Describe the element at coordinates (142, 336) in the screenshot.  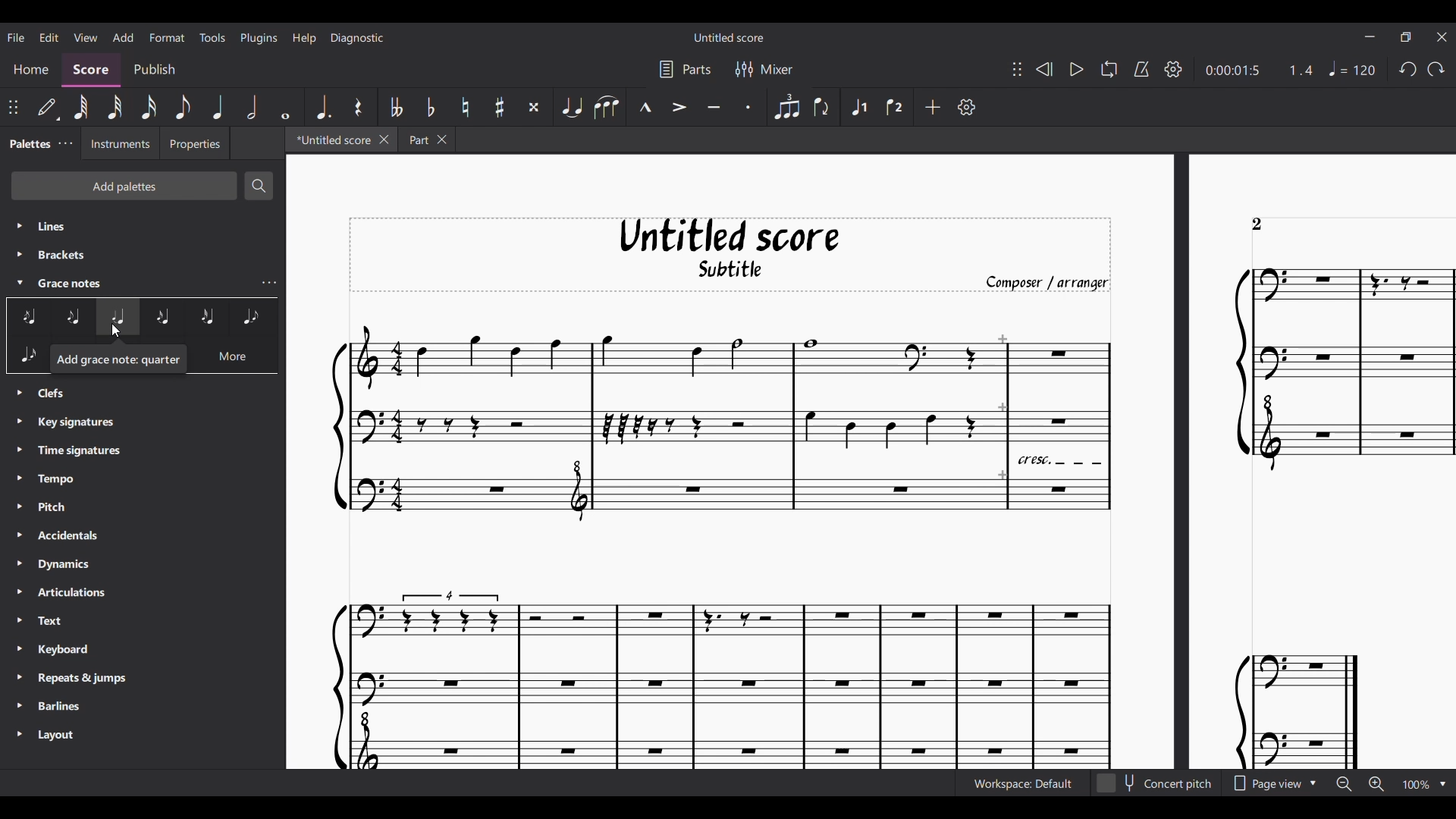
I see `Grace note options` at that location.